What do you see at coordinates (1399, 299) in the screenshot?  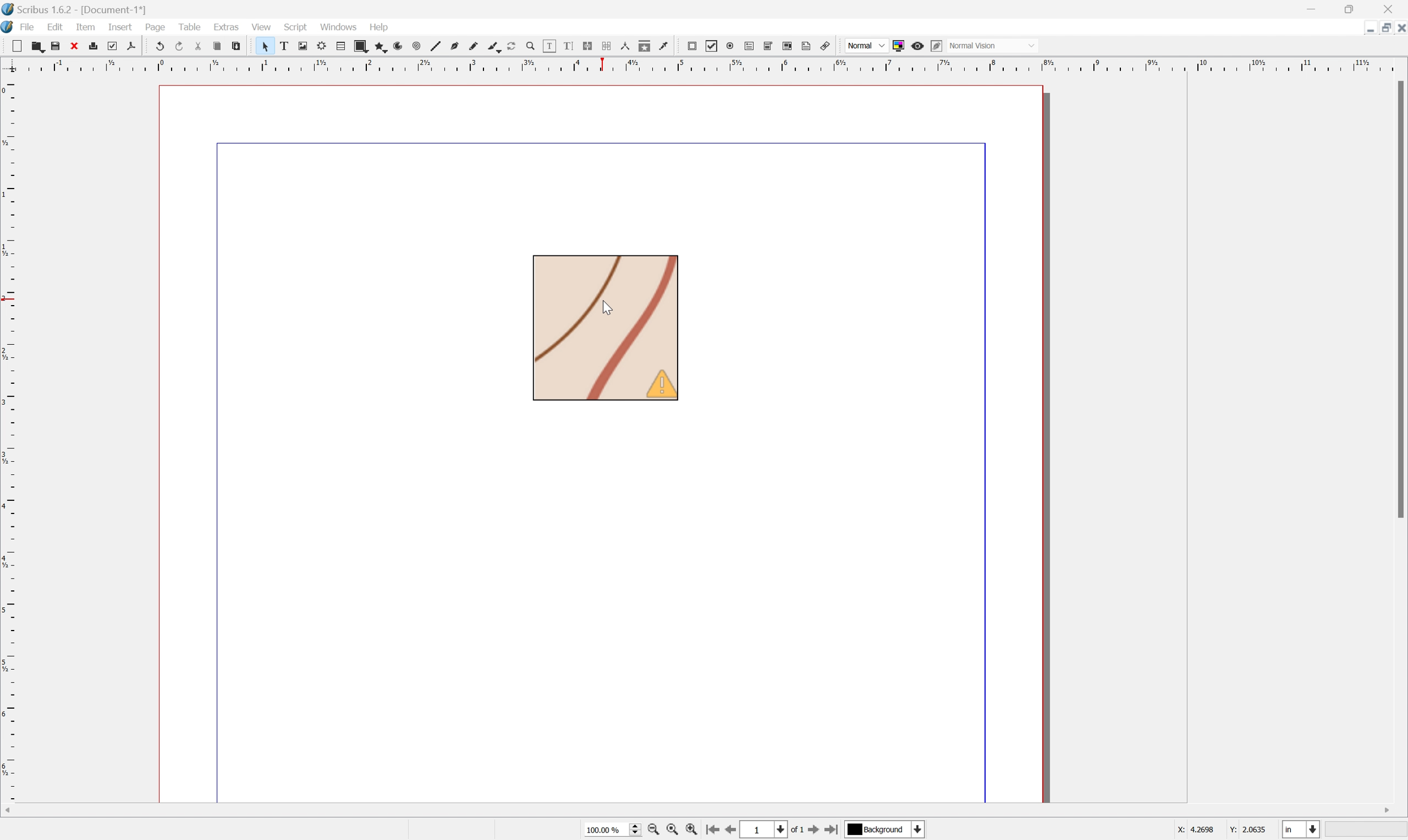 I see `Scroll bar` at bounding box center [1399, 299].